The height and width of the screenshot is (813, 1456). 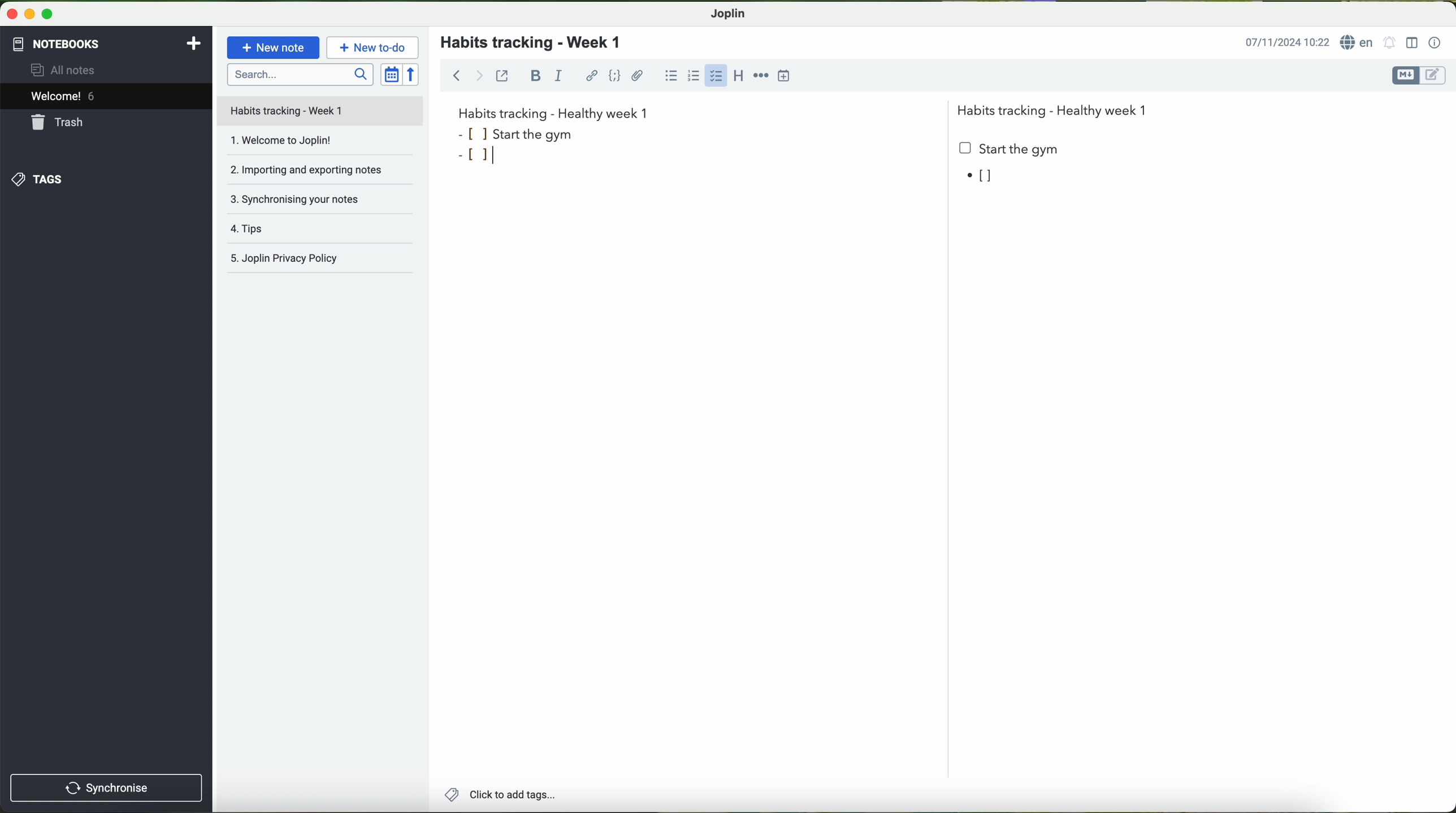 I want to click on synchronising your notes, so click(x=324, y=203).